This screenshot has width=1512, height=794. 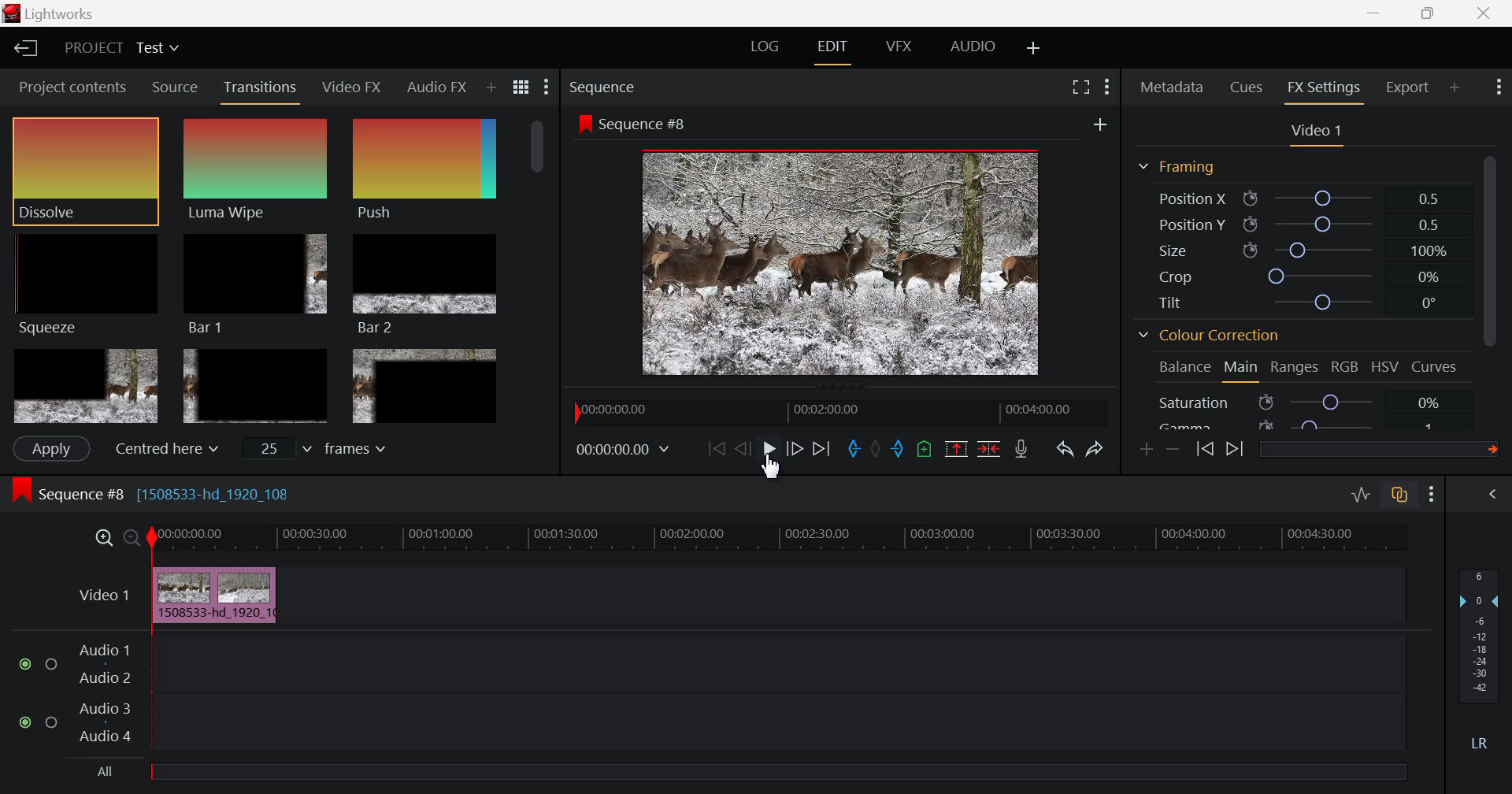 What do you see at coordinates (1063, 447) in the screenshot?
I see `Undo` at bounding box center [1063, 447].